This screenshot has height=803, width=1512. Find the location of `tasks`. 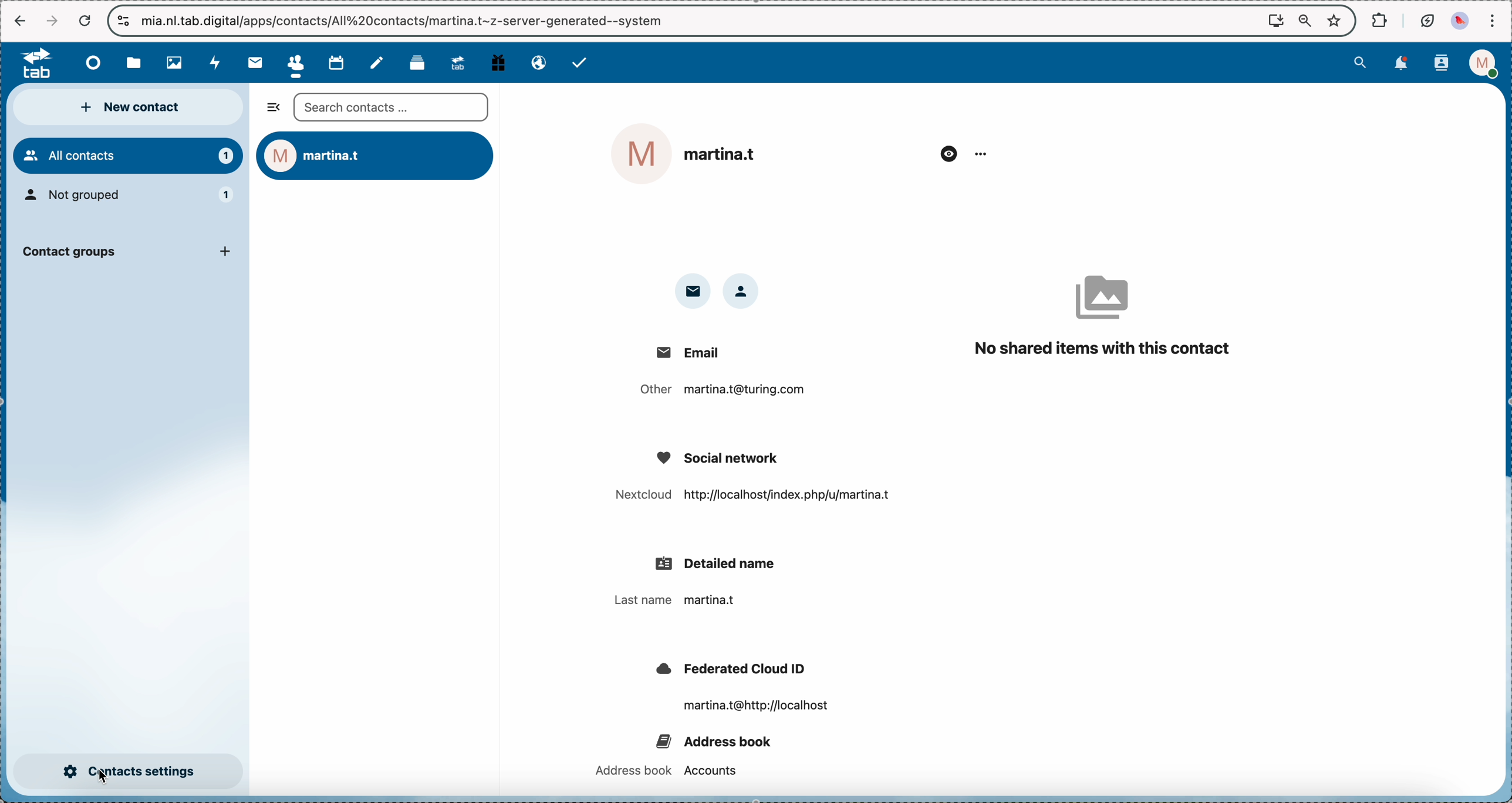

tasks is located at coordinates (584, 64).